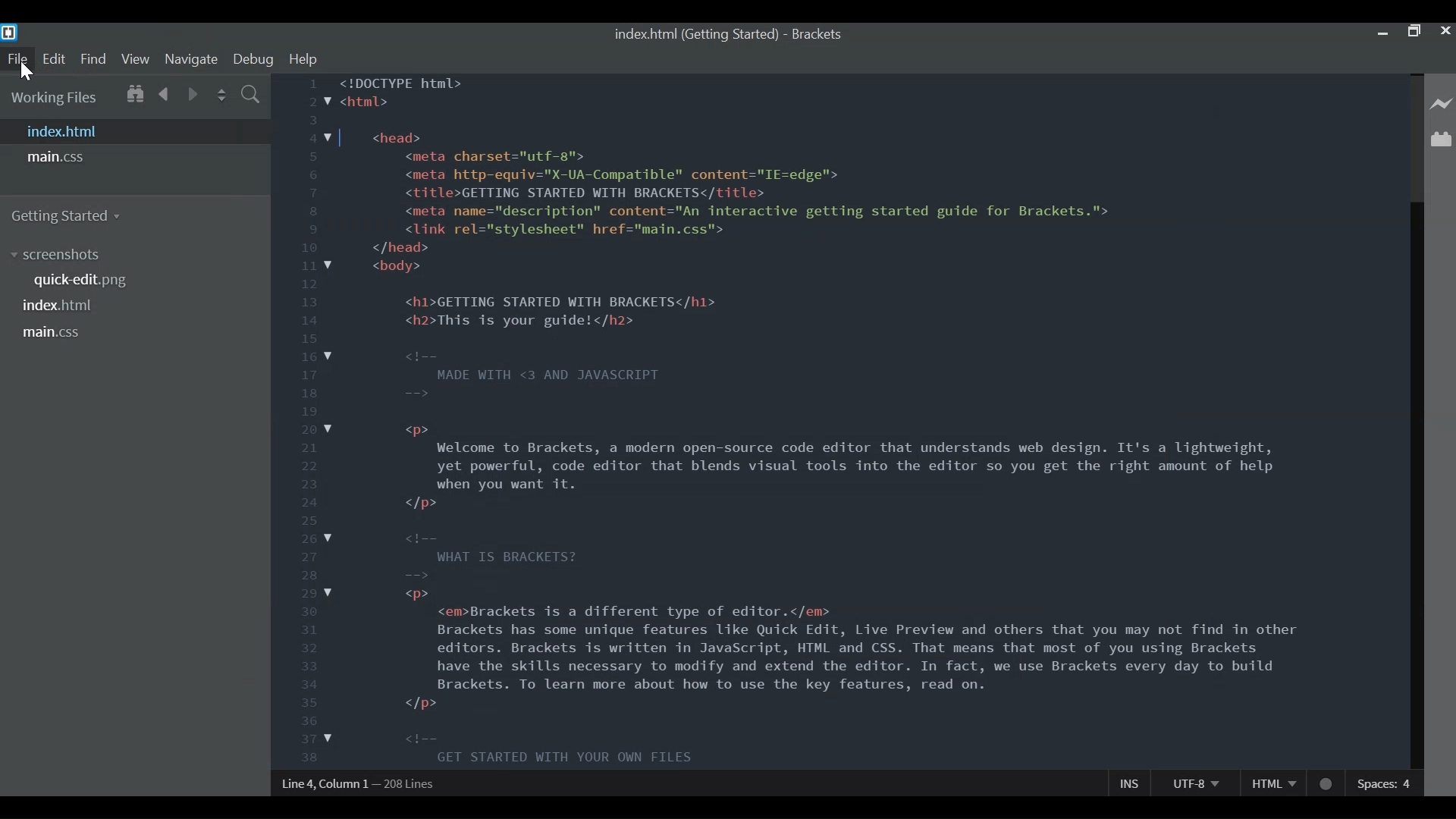 This screenshot has width=1456, height=819. What do you see at coordinates (83, 280) in the screenshot?
I see `quick-edit.png` at bounding box center [83, 280].